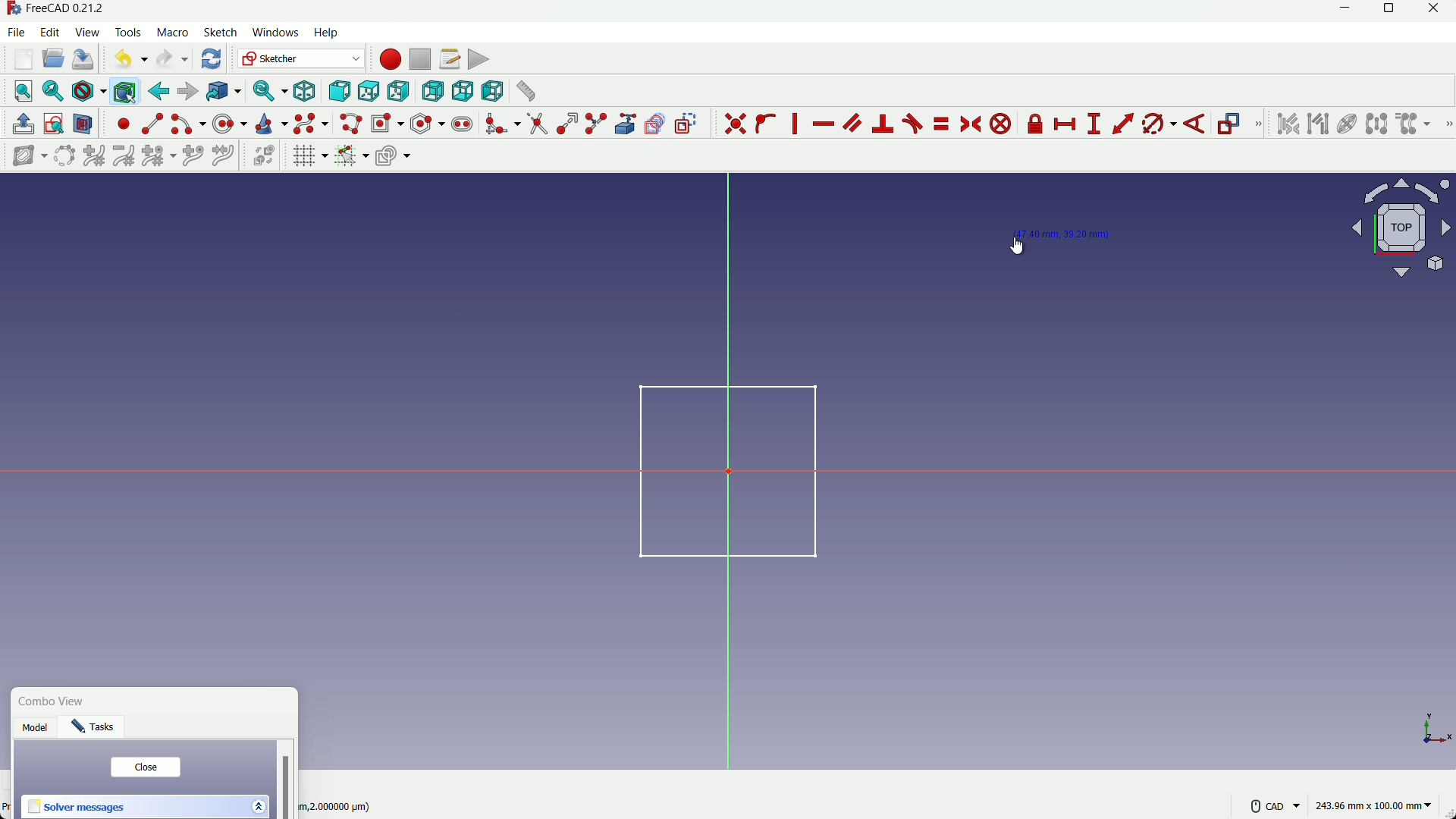  I want to click on view sketch, so click(55, 125).